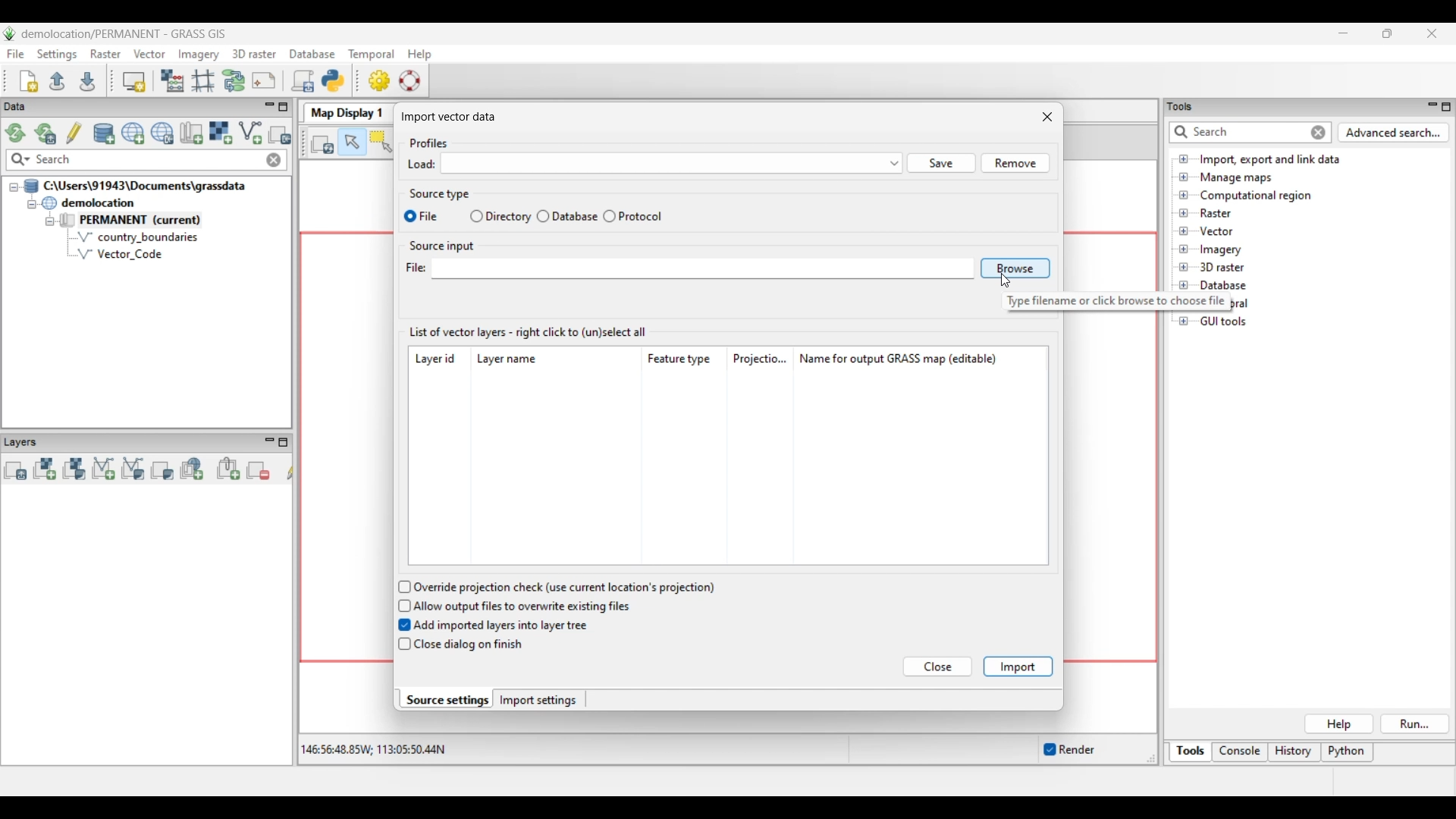 Image resolution: width=1456 pixels, height=819 pixels. Describe the element at coordinates (673, 164) in the screenshot. I see `Click to see Profile options` at that location.